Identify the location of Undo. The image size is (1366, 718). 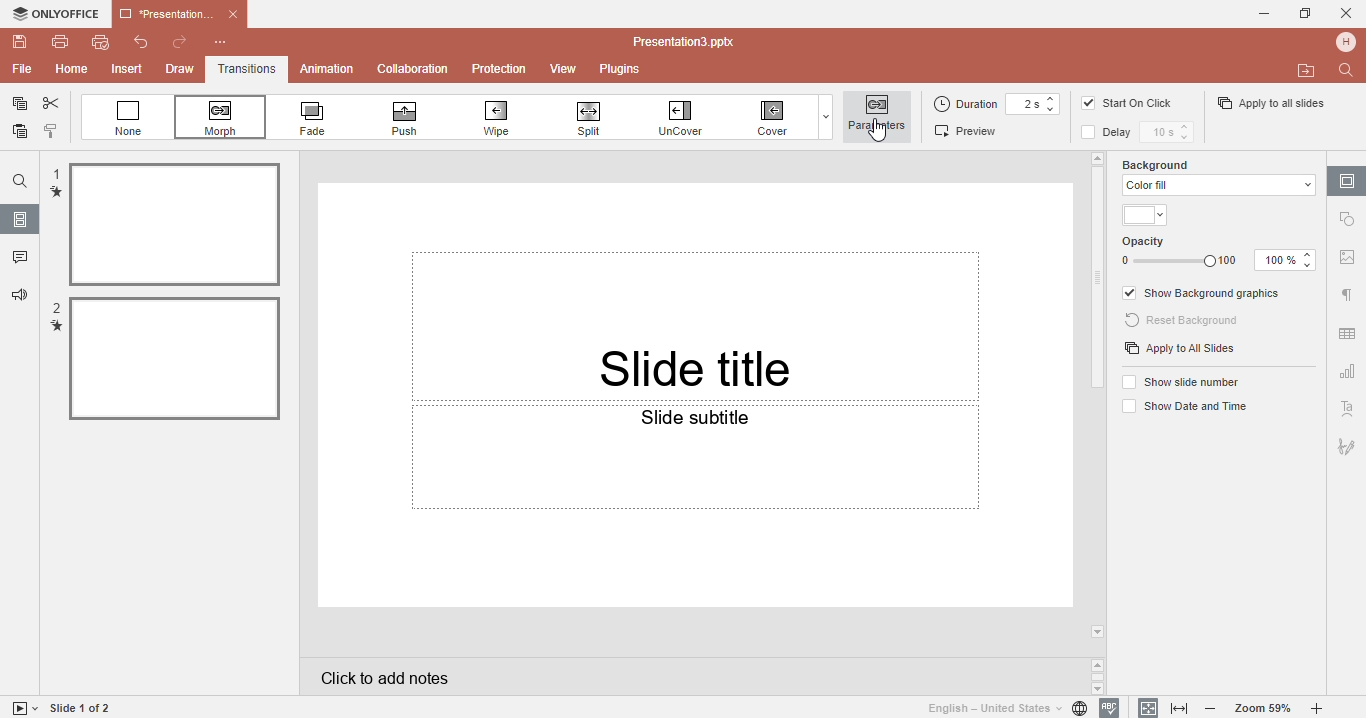
(134, 44).